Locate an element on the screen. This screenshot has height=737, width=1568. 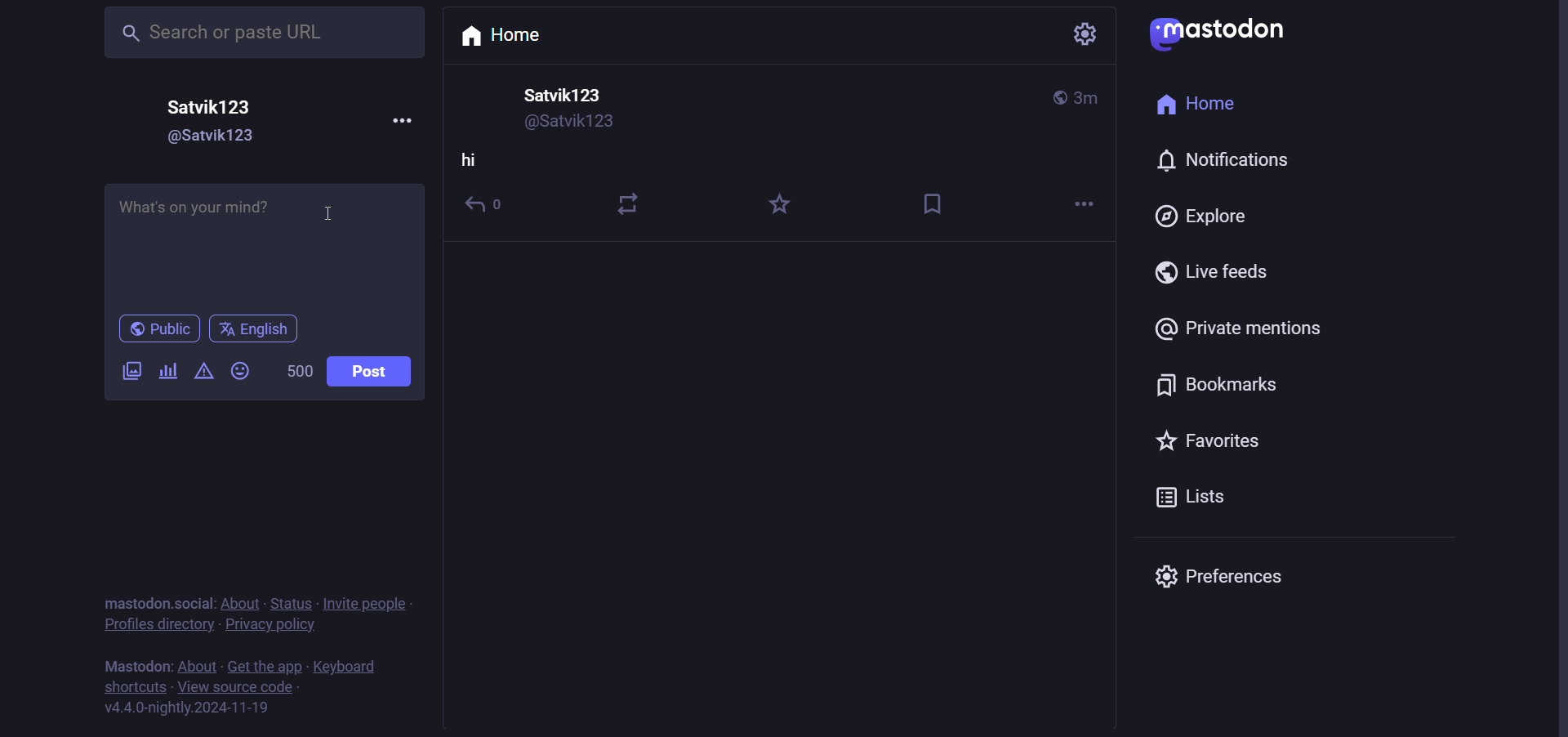
home is located at coordinates (510, 34).